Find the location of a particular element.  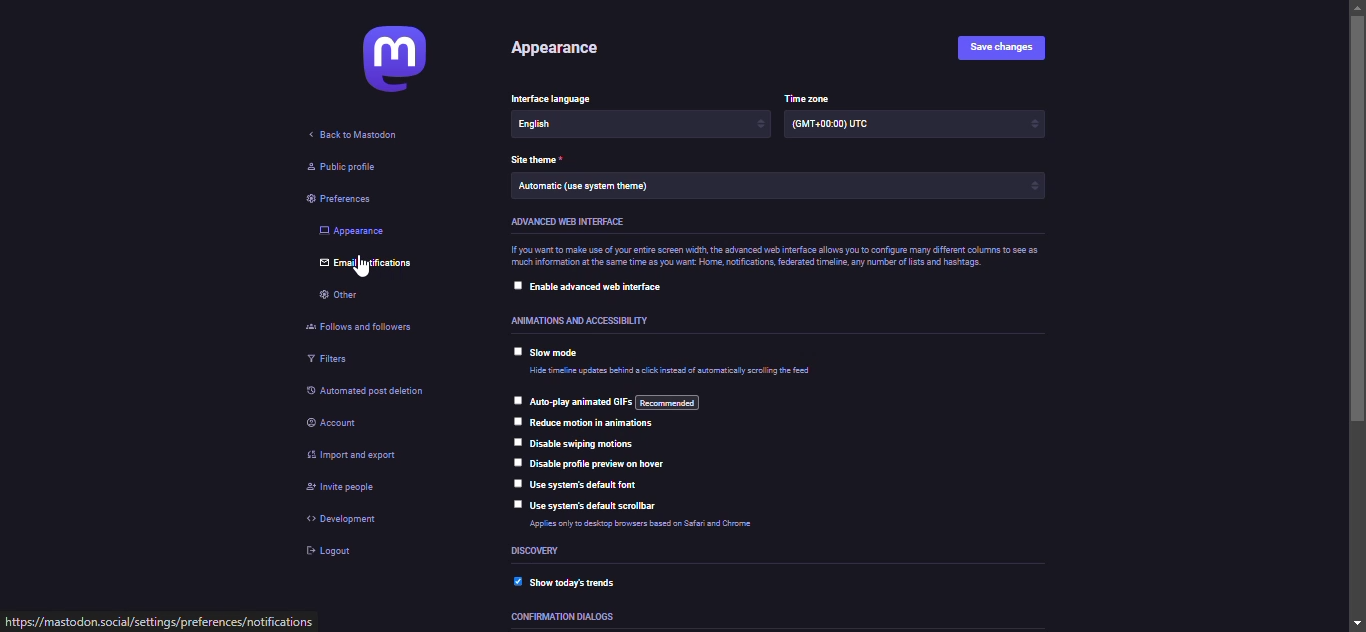

click to select is located at coordinates (515, 400).